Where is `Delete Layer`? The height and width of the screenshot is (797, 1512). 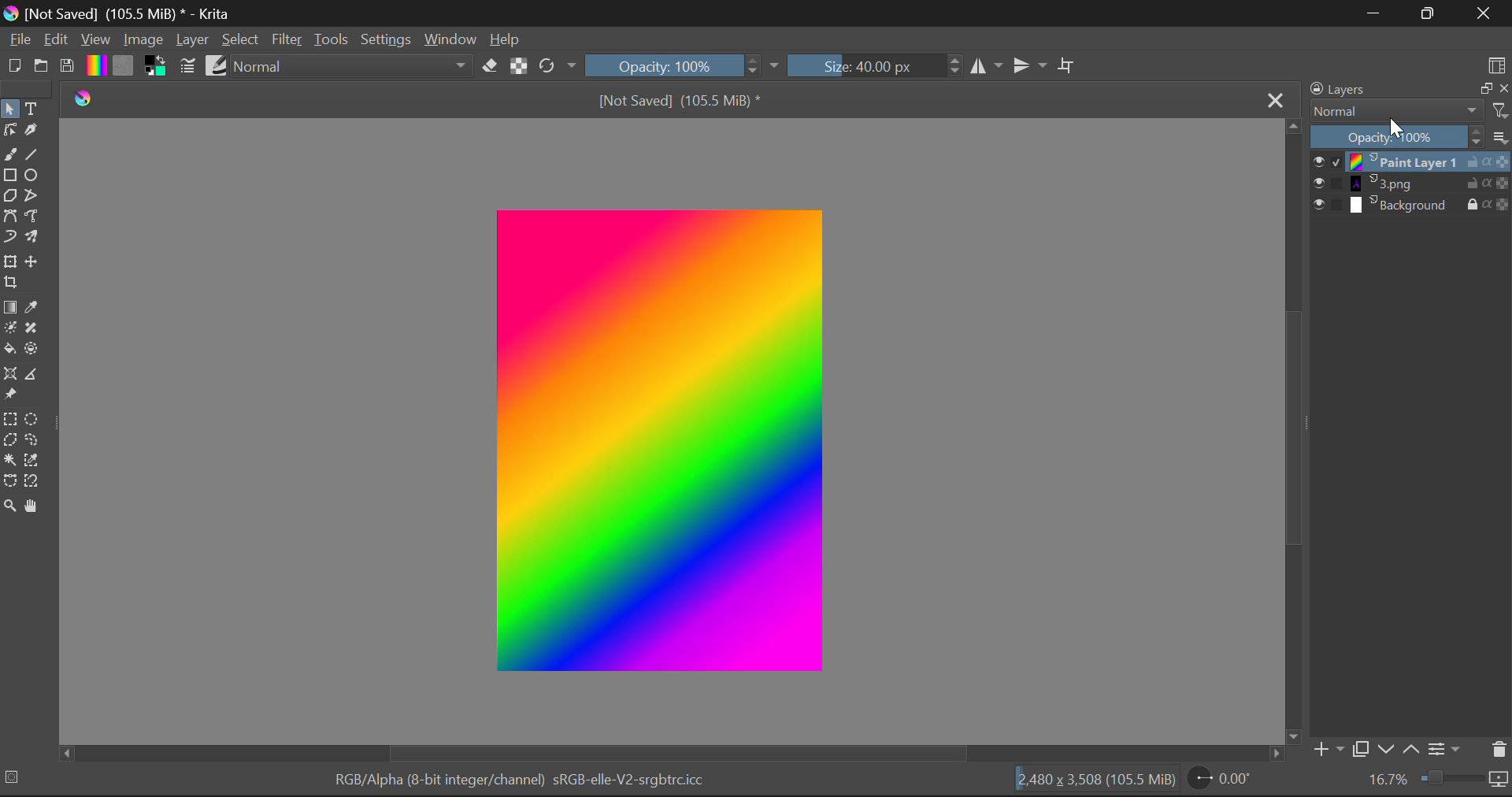 Delete Layer is located at coordinates (1499, 751).